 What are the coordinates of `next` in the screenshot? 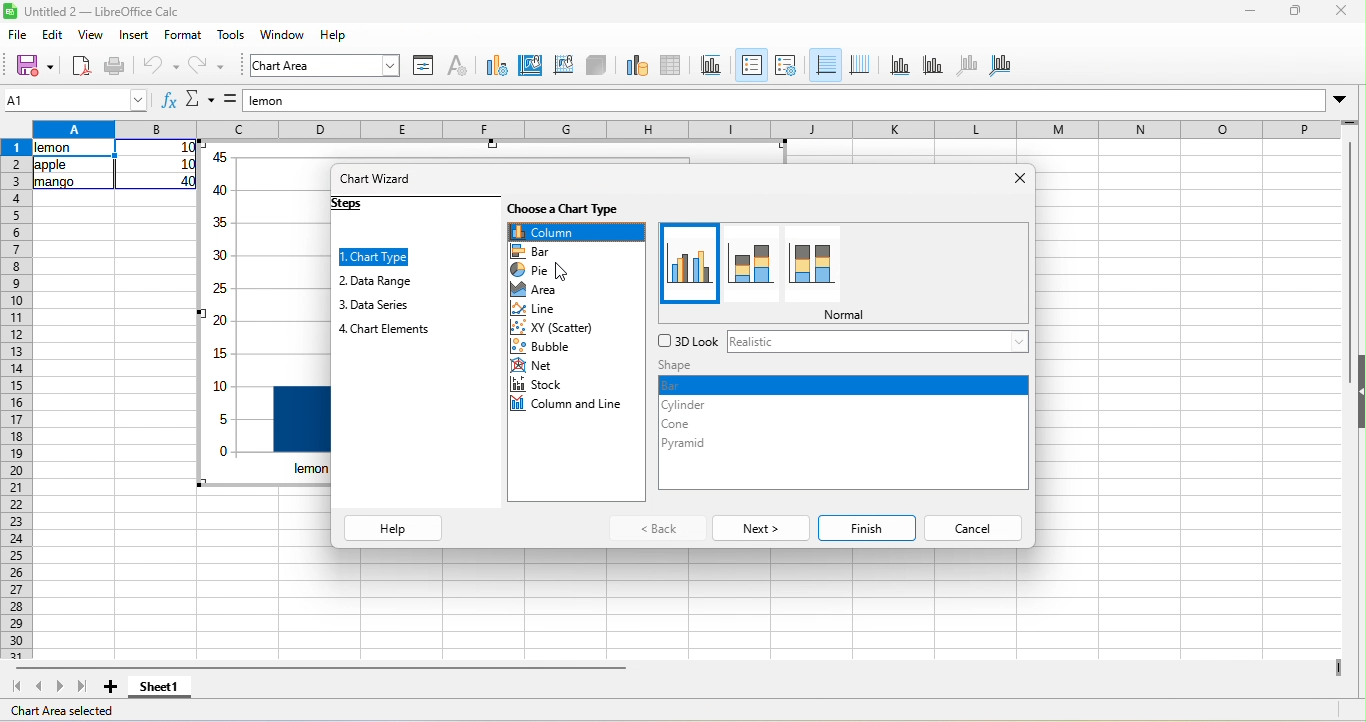 It's located at (760, 528).